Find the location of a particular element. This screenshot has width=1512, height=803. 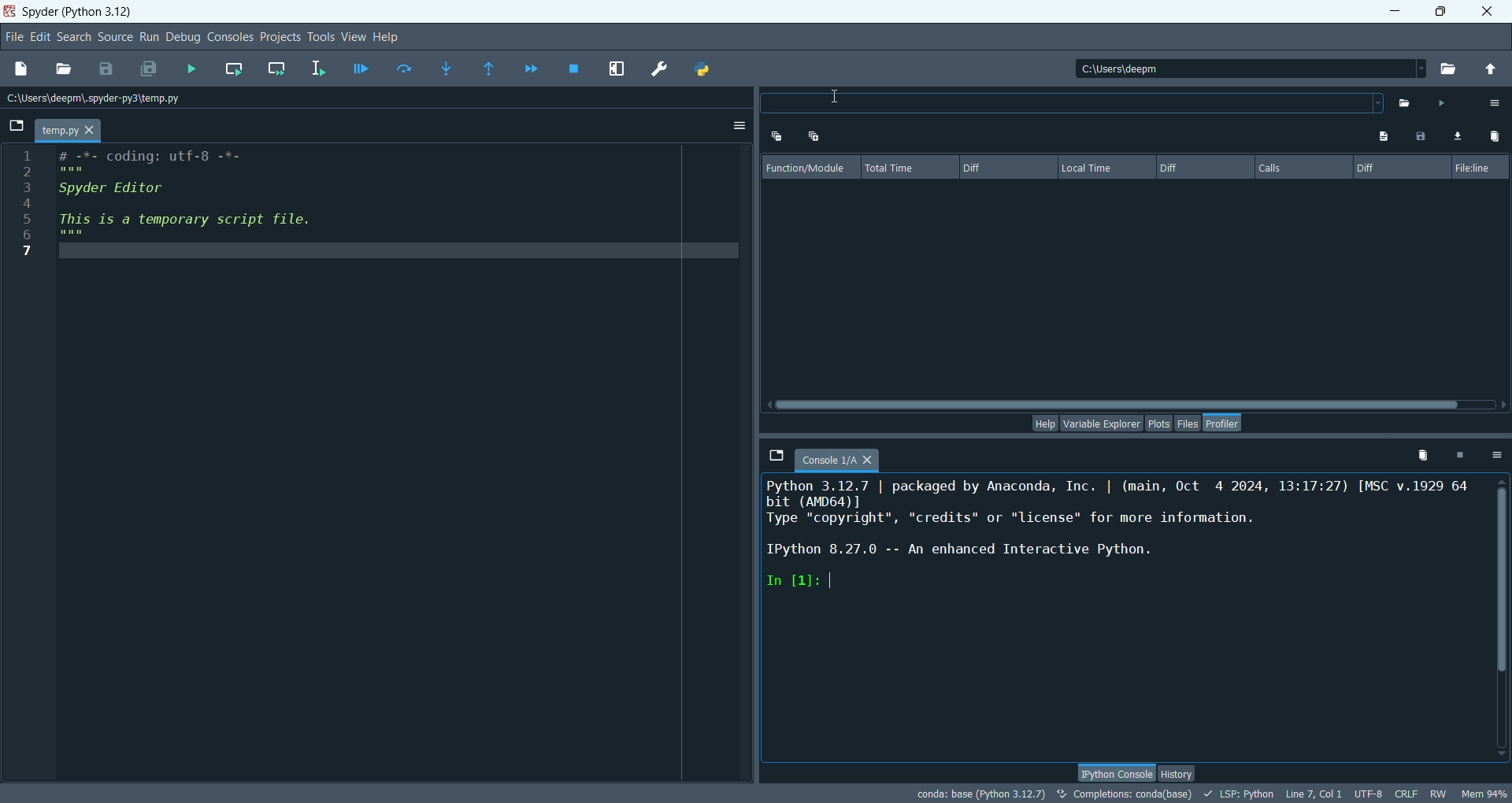

location is located at coordinates (102, 101).